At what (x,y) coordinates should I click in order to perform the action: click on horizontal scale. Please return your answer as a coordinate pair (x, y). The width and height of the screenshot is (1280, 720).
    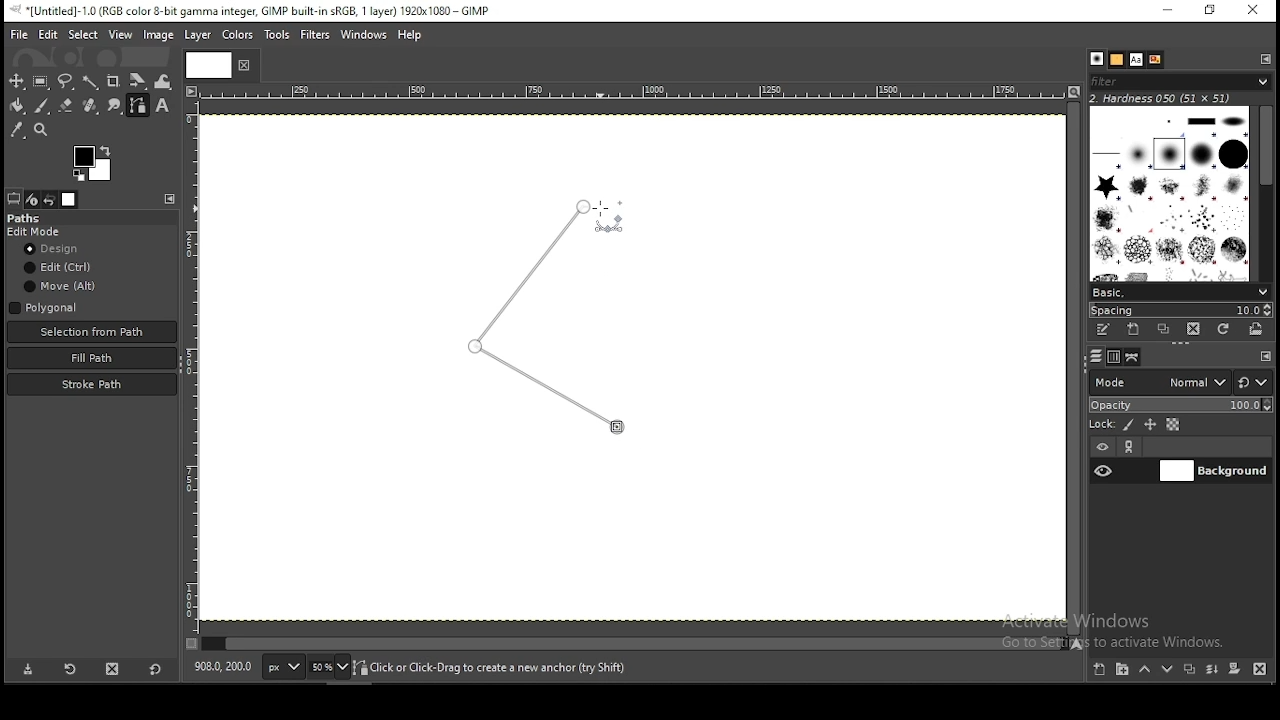
    Looking at the image, I should click on (631, 94).